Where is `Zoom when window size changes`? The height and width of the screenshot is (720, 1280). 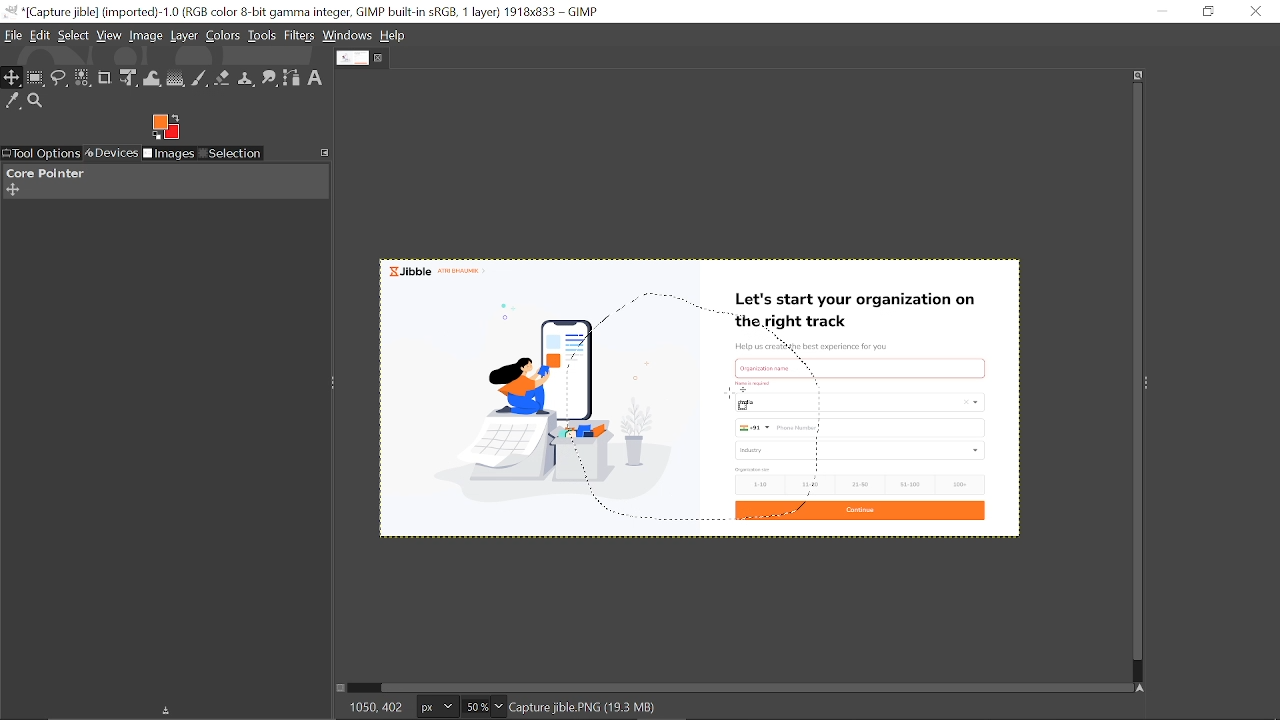
Zoom when window size changes is located at coordinates (1134, 77).